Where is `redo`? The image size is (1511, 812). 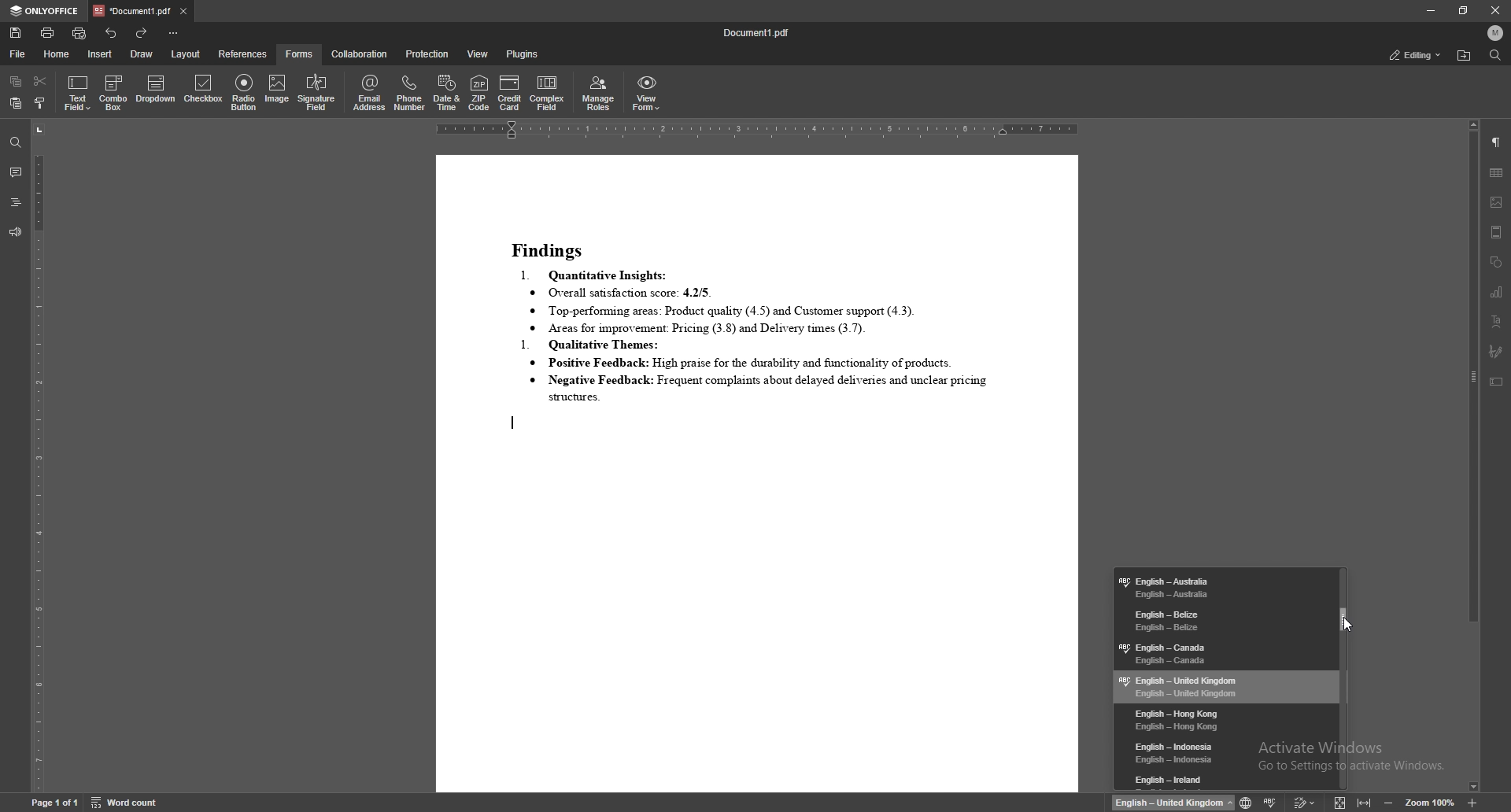
redo is located at coordinates (144, 32).